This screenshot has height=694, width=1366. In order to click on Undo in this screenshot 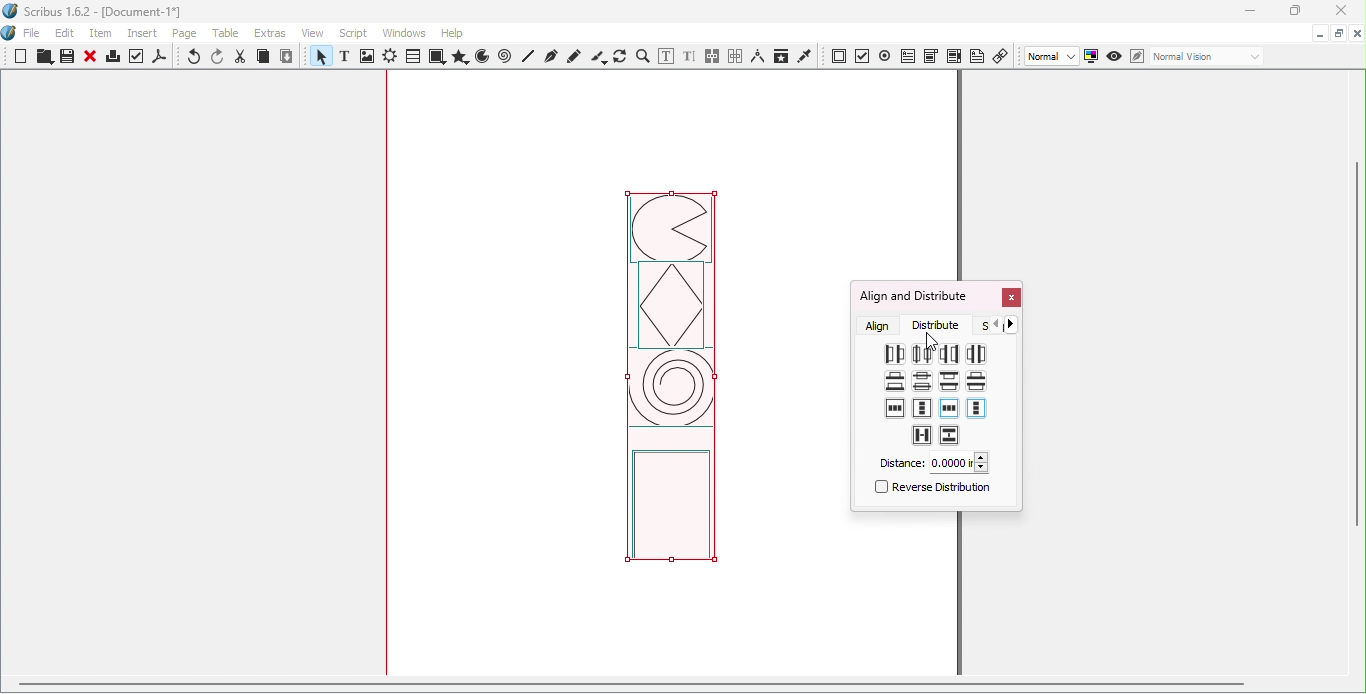, I will do `click(195, 58)`.